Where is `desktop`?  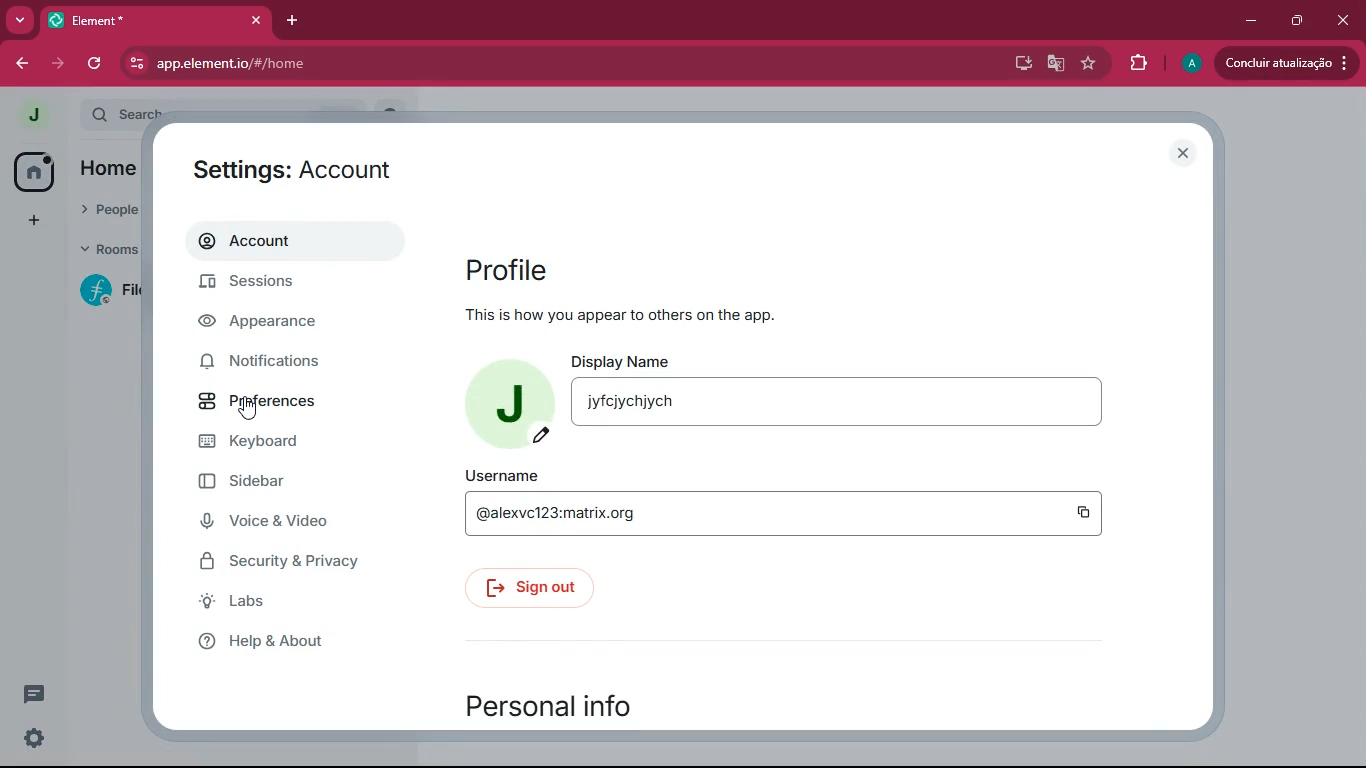
desktop is located at coordinates (1018, 64).